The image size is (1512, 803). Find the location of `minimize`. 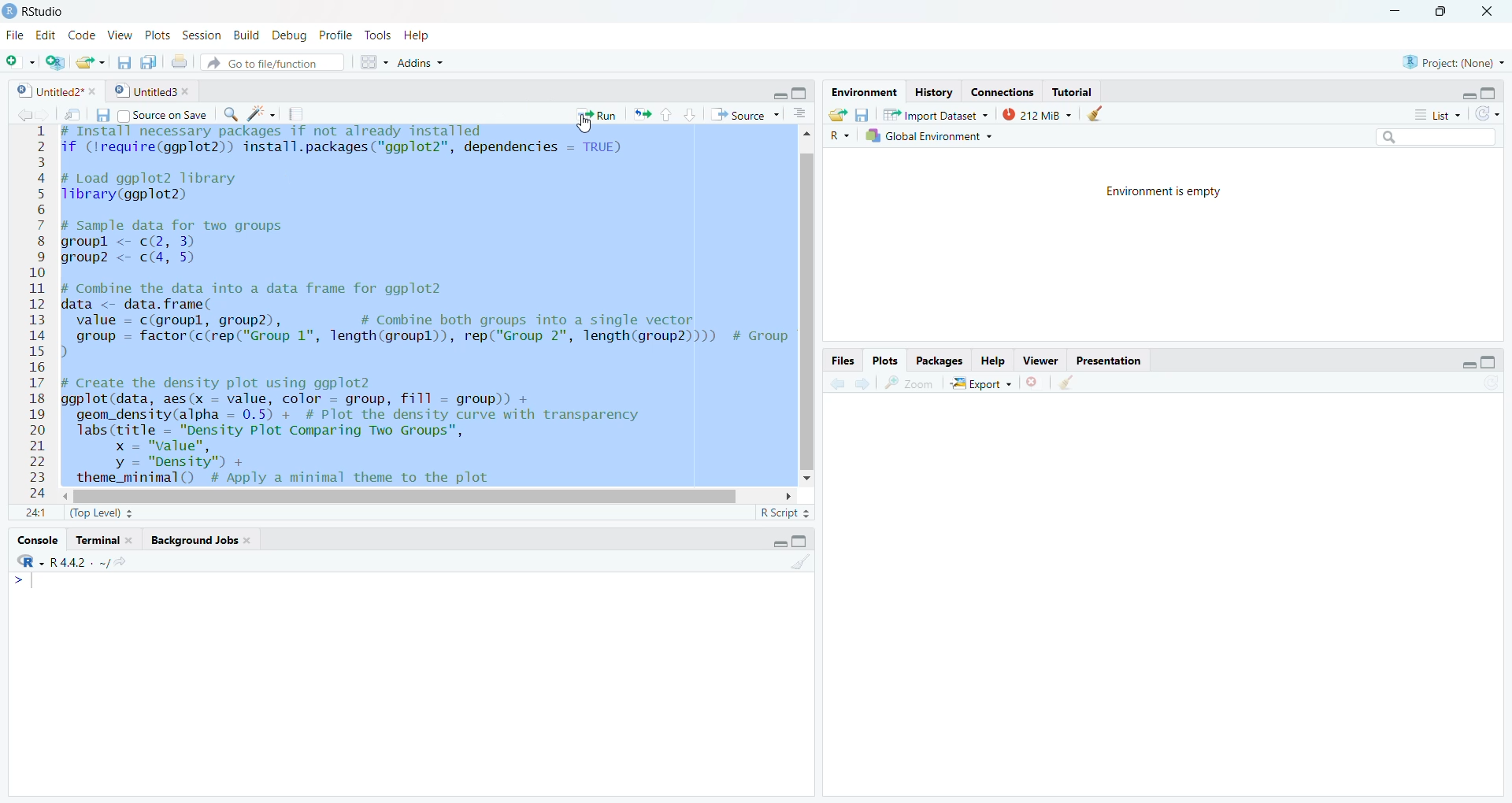

minimize is located at coordinates (1458, 94).